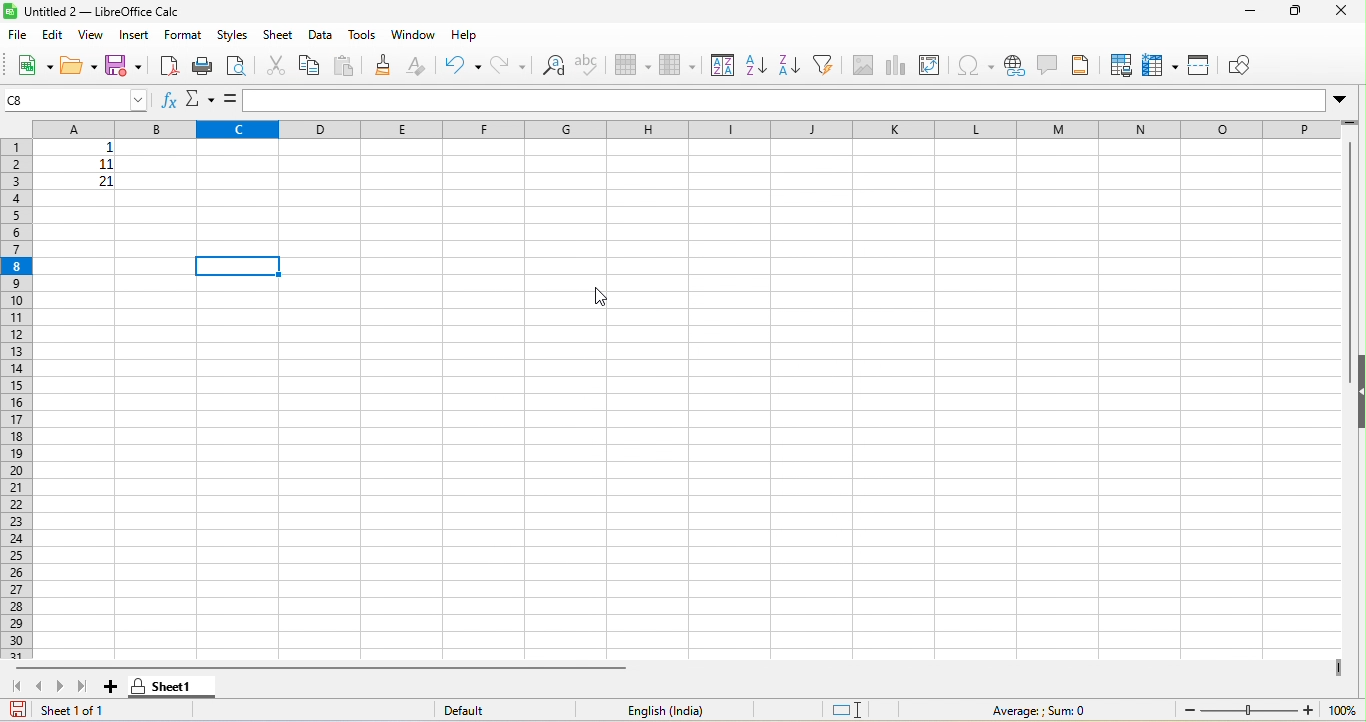 This screenshot has height=722, width=1366. I want to click on save, so click(124, 66).